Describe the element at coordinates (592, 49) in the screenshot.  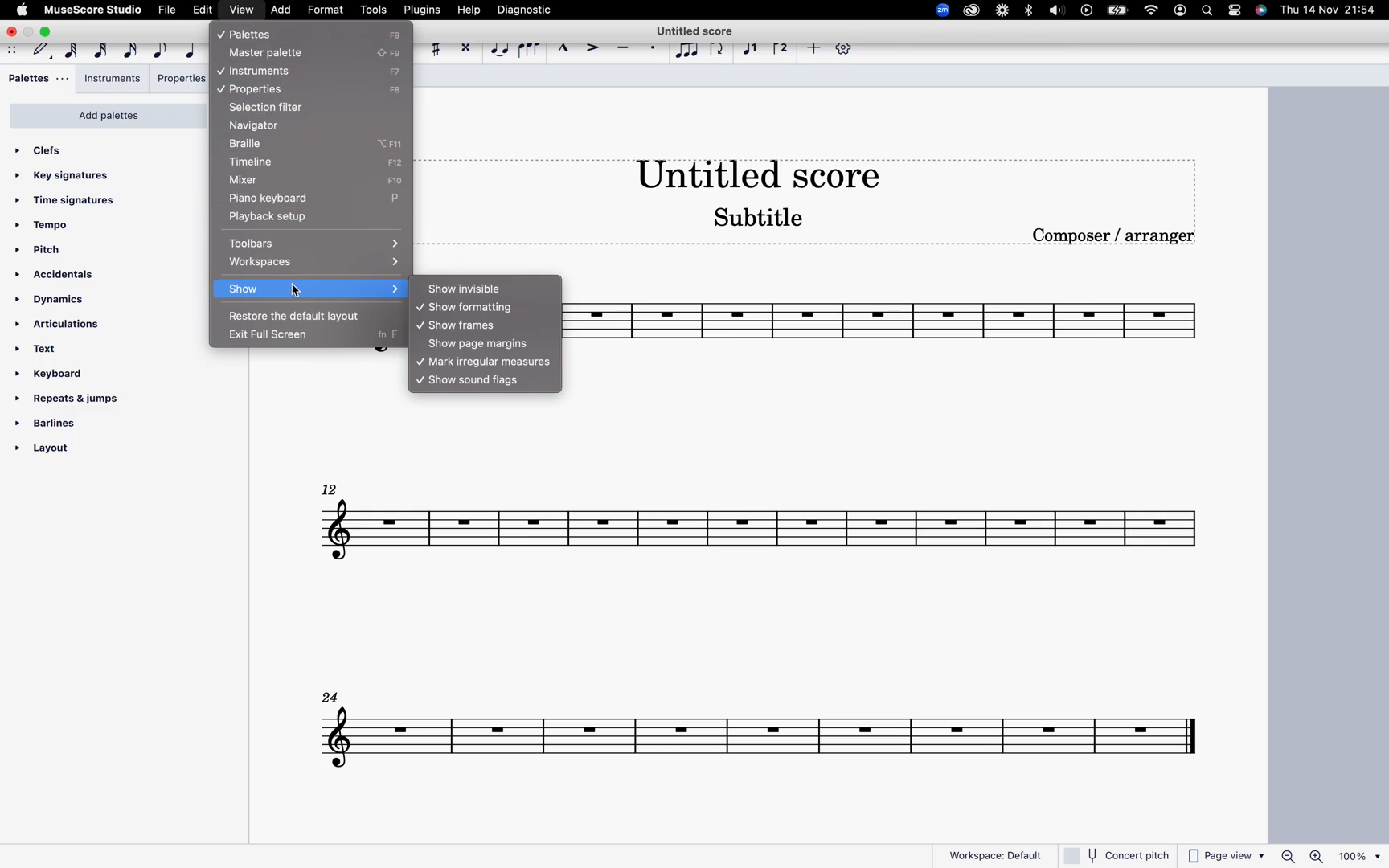
I see `accent` at that location.